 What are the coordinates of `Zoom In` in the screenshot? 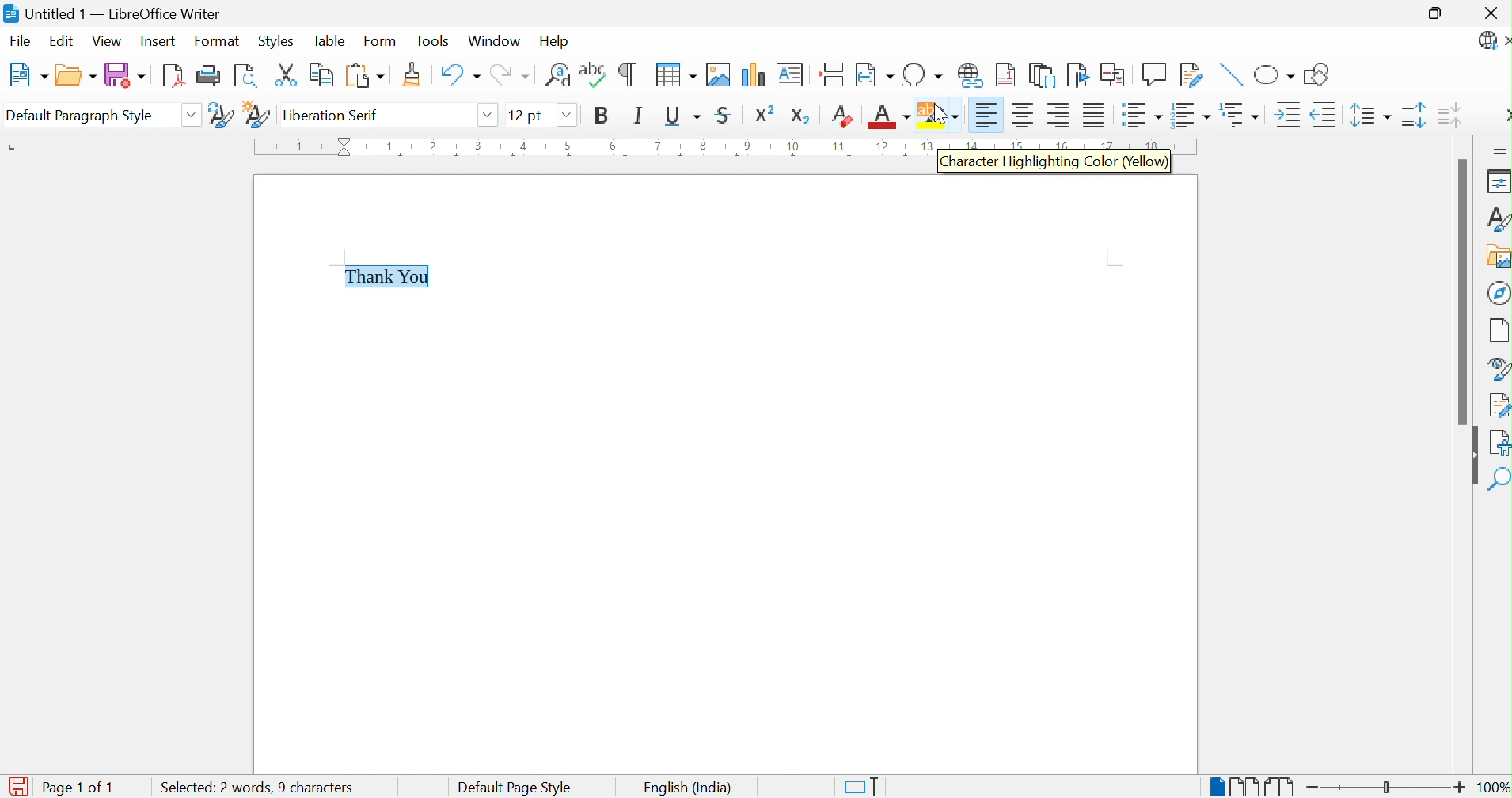 It's located at (1460, 786).